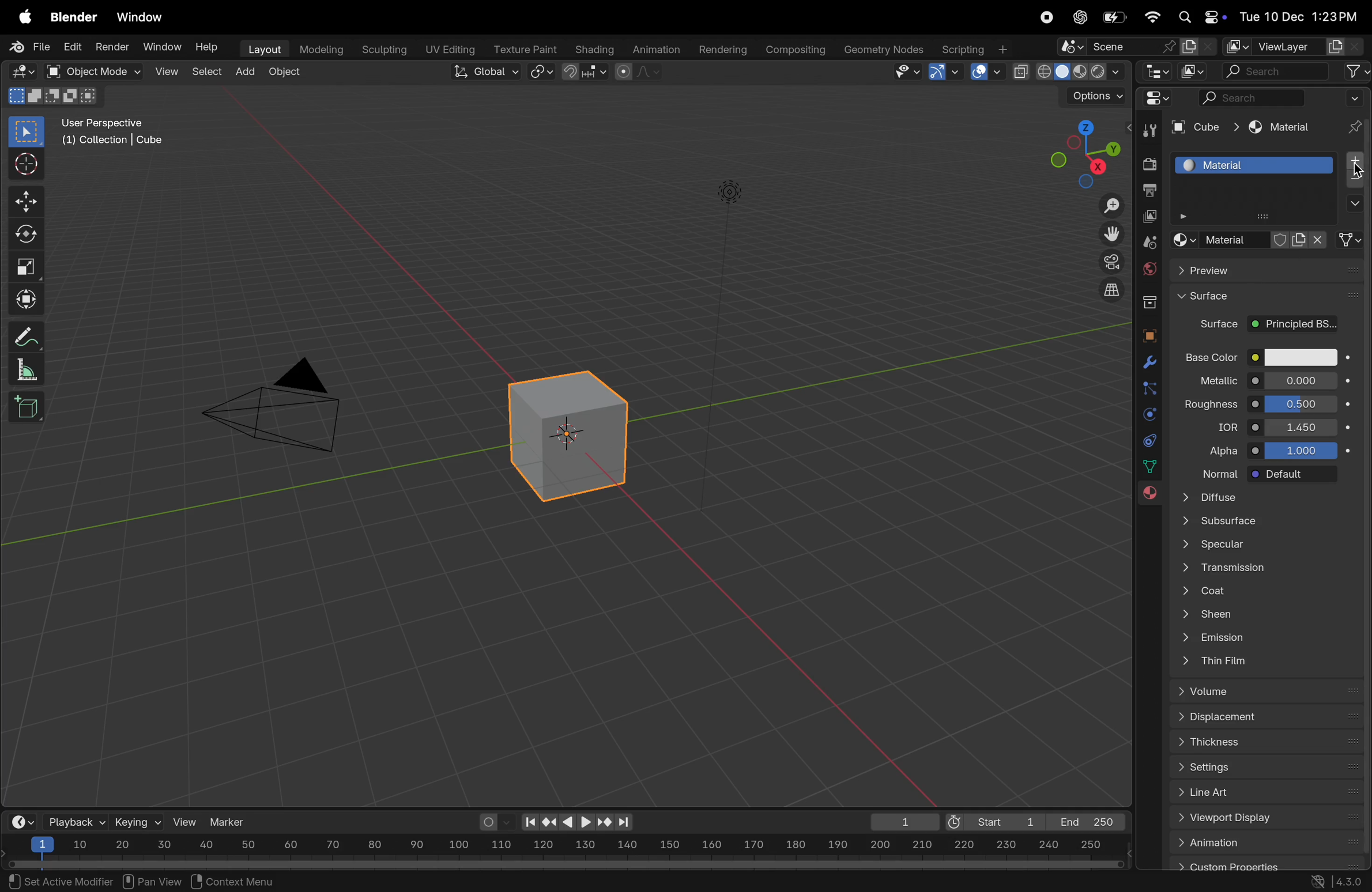 The image size is (1372, 892). What do you see at coordinates (1148, 415) in the screenshot?
I see `physics` at bounding box center [1148, 415].